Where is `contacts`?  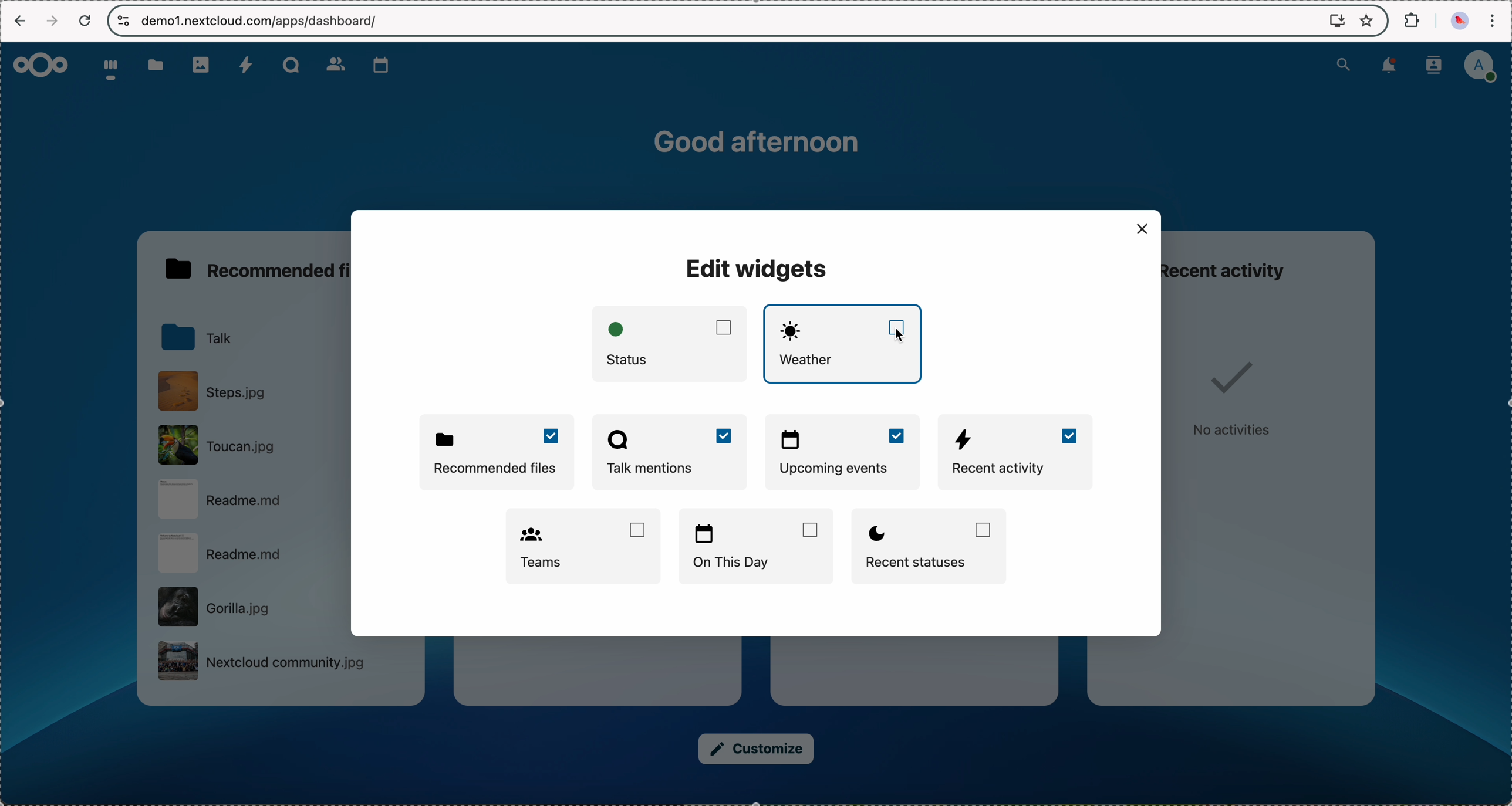
contacts is located at coordinates (335, 65).